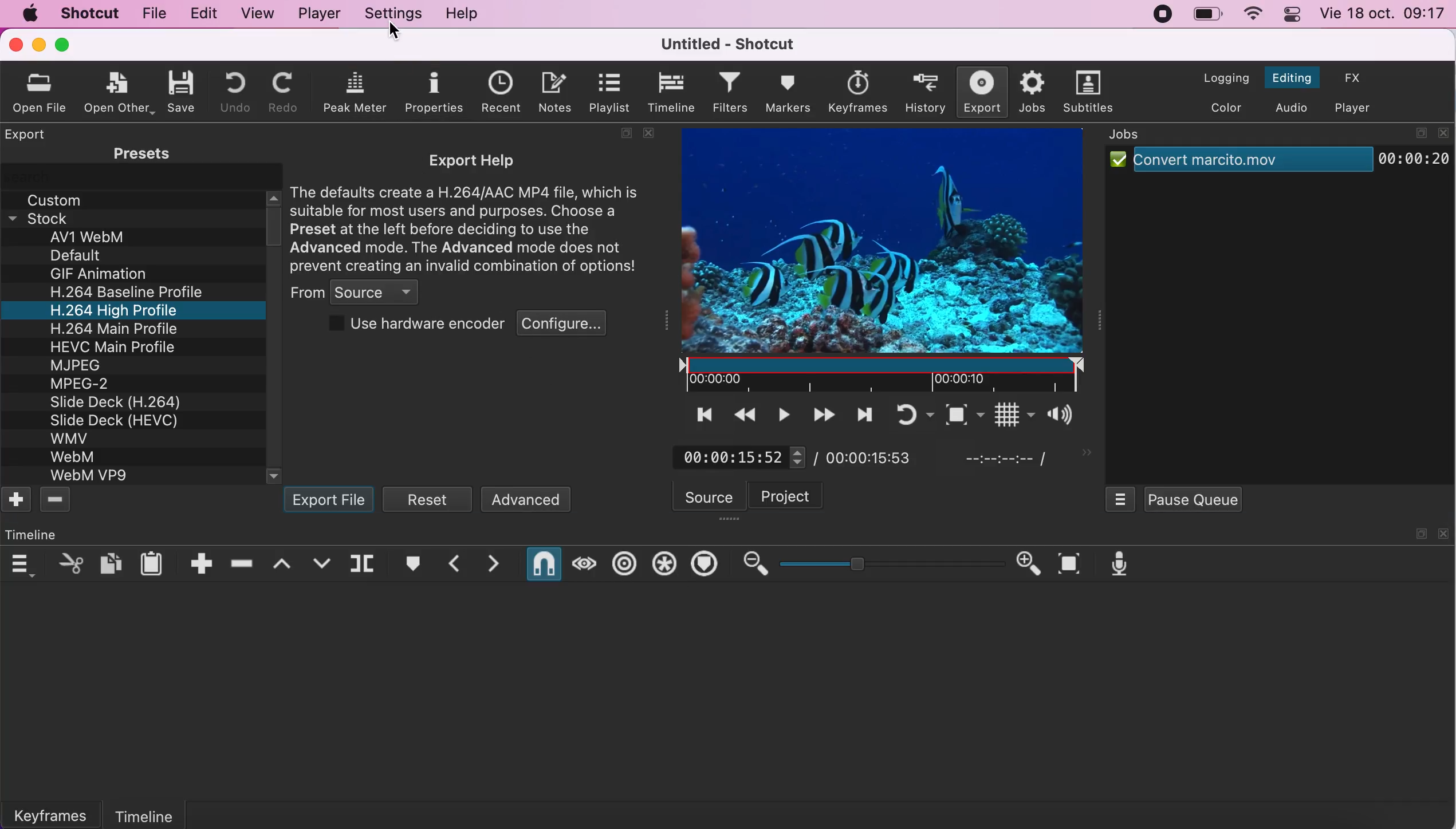 The image size is (1456, 829). Describe the element at coordinates (790, 93) in the screenshot. I see `markers` at that location.